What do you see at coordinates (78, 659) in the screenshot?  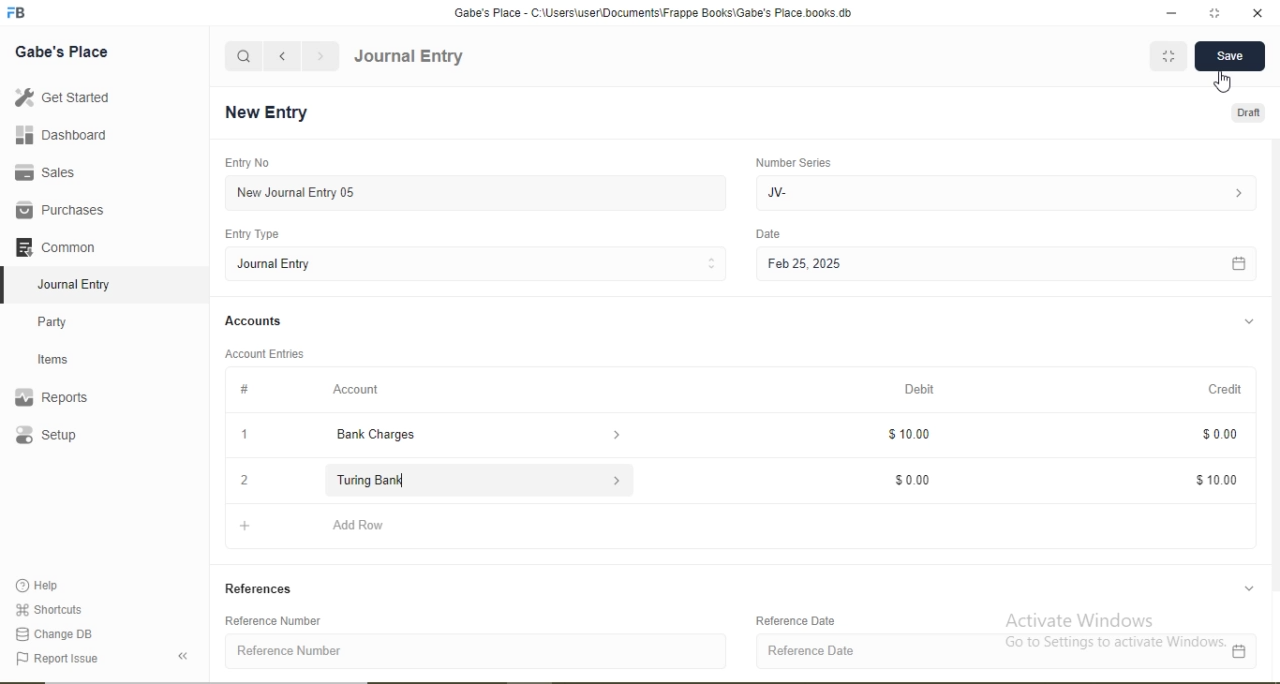 I see `‘Report Issue` at bounding box center [78, 659].